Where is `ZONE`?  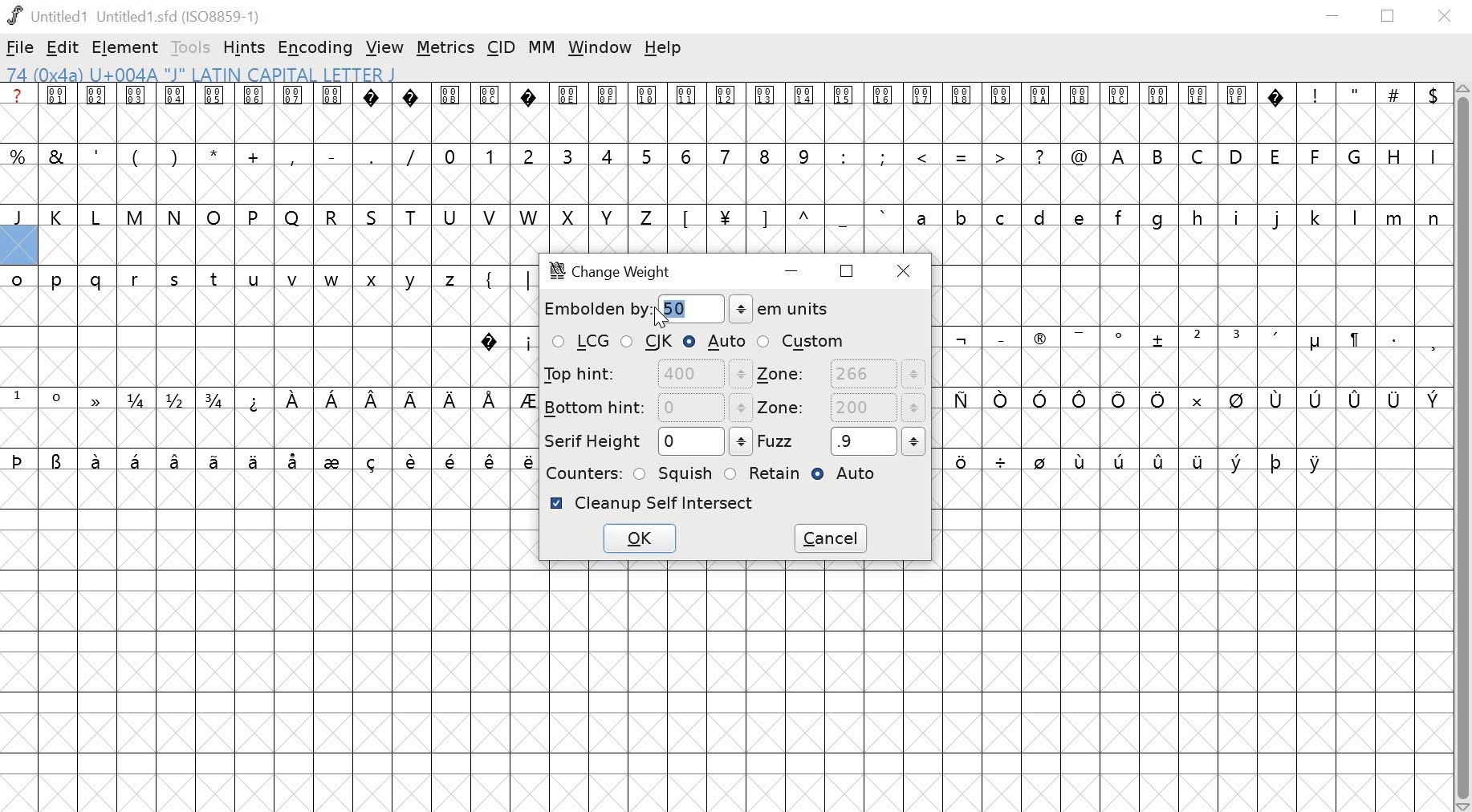 ZONE is located at coordinates (840, 409).